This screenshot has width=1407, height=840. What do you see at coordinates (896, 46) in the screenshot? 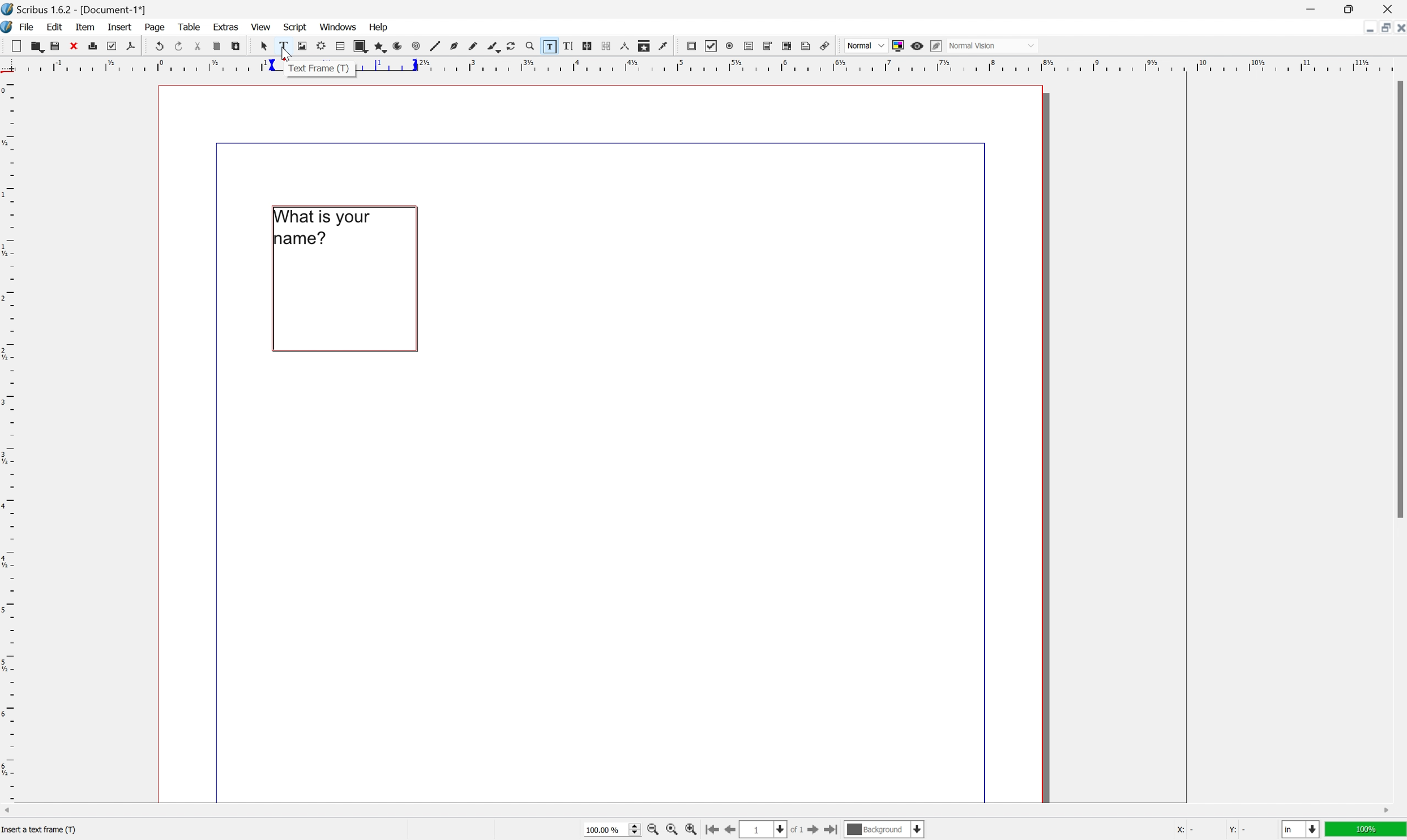
I see `toggle color management system` at bounding box center [896, 46].